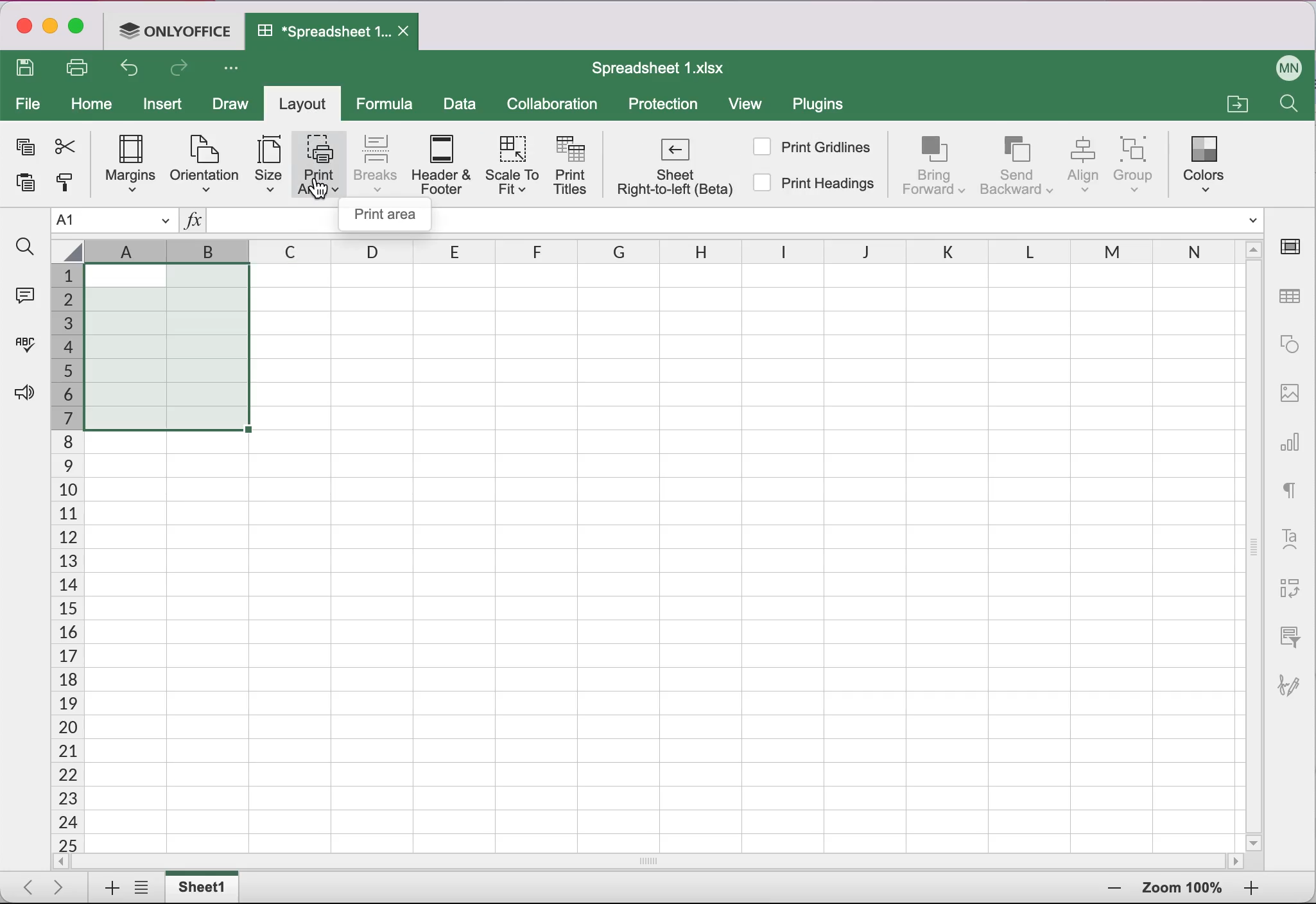 This screenshot has height=904, width=1316. I want to click on zoom percentage, so click(1182, 890).